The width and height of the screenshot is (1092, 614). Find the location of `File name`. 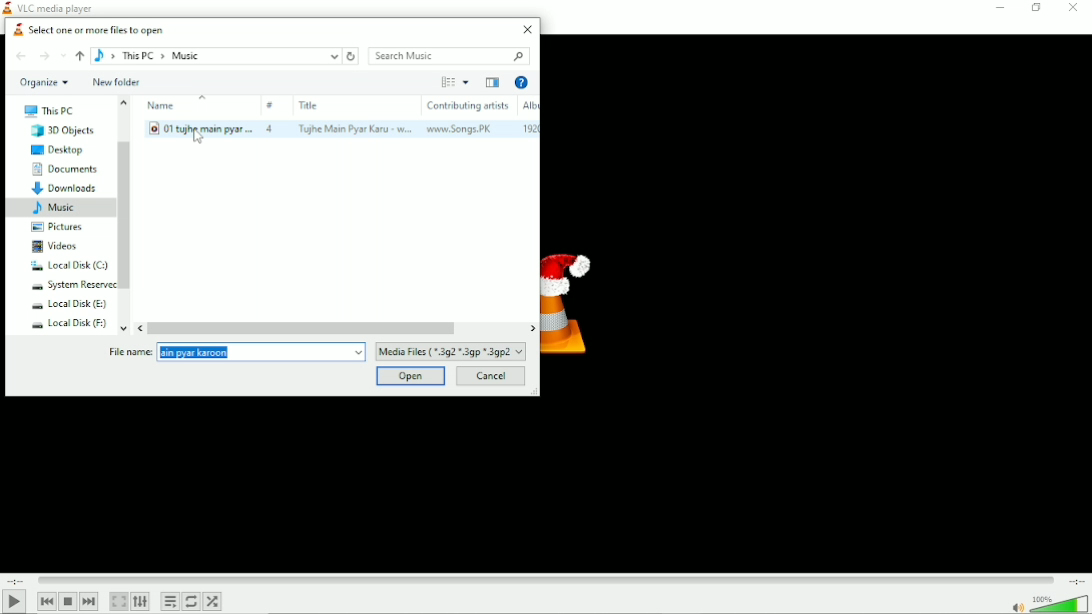

File name is located at coordinates (130, 353).